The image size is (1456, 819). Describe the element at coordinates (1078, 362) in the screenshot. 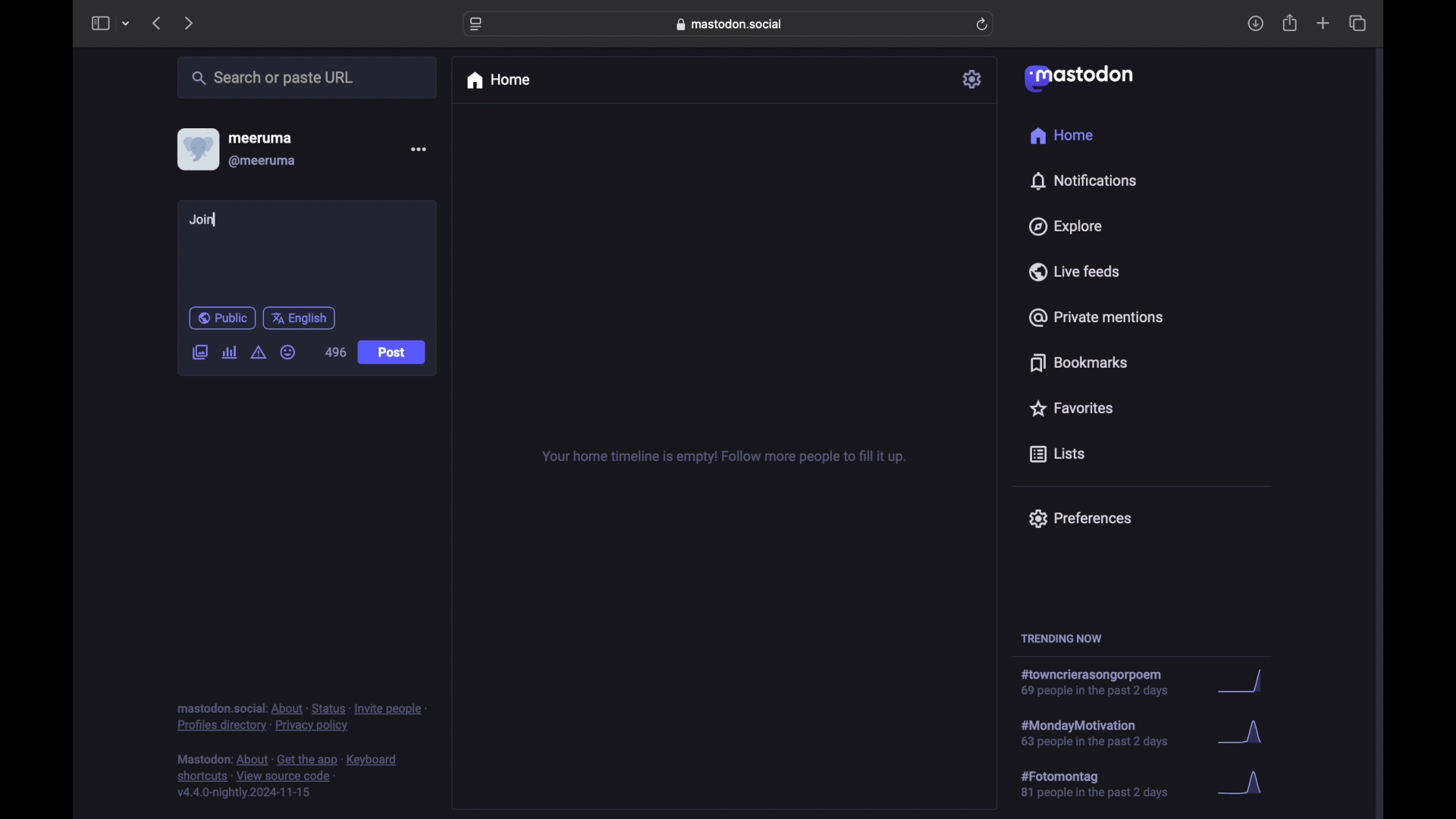

I see `bookmarks` at that location.